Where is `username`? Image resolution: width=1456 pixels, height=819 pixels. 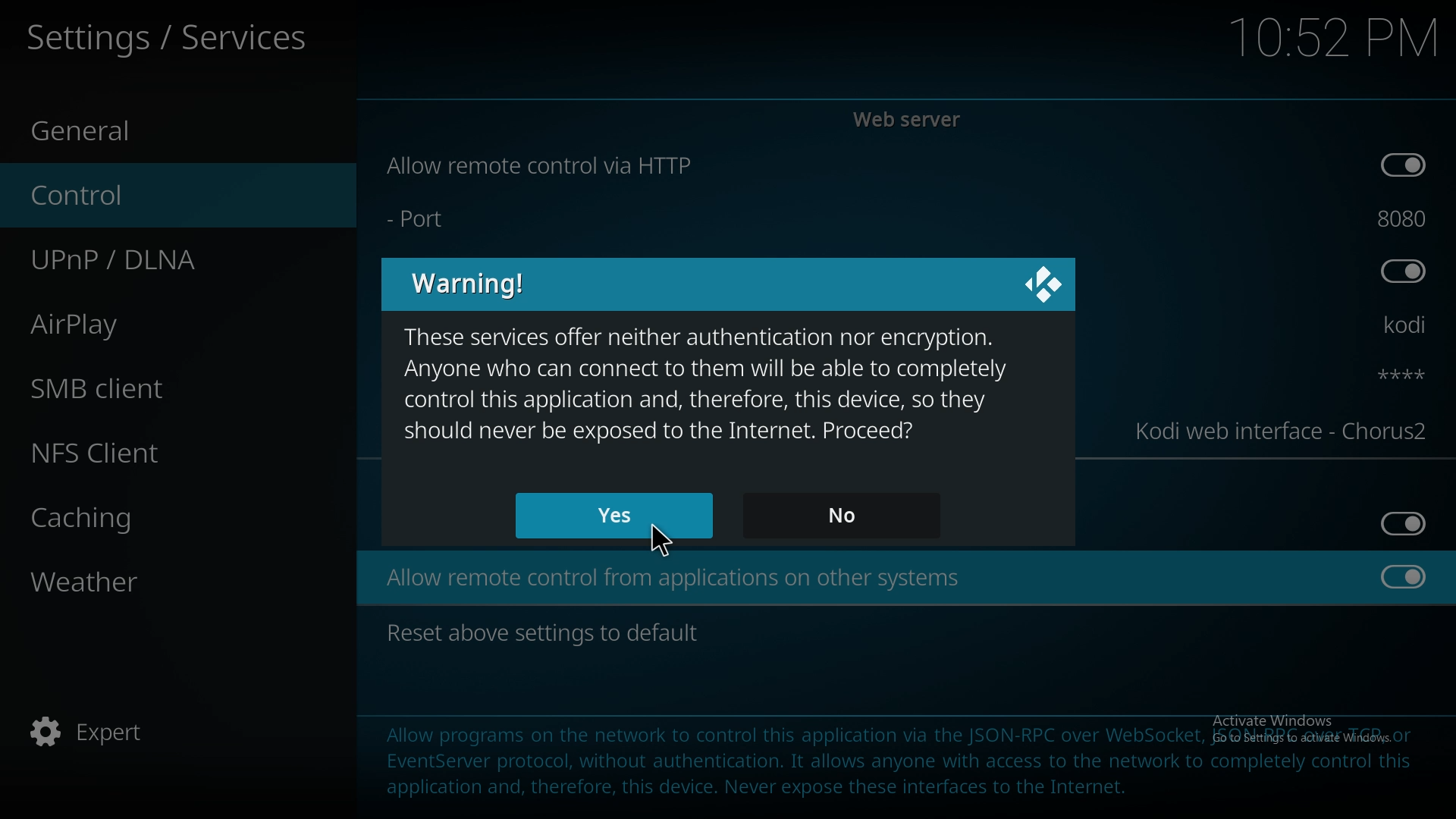
username is located at coordinates (1409, 327).